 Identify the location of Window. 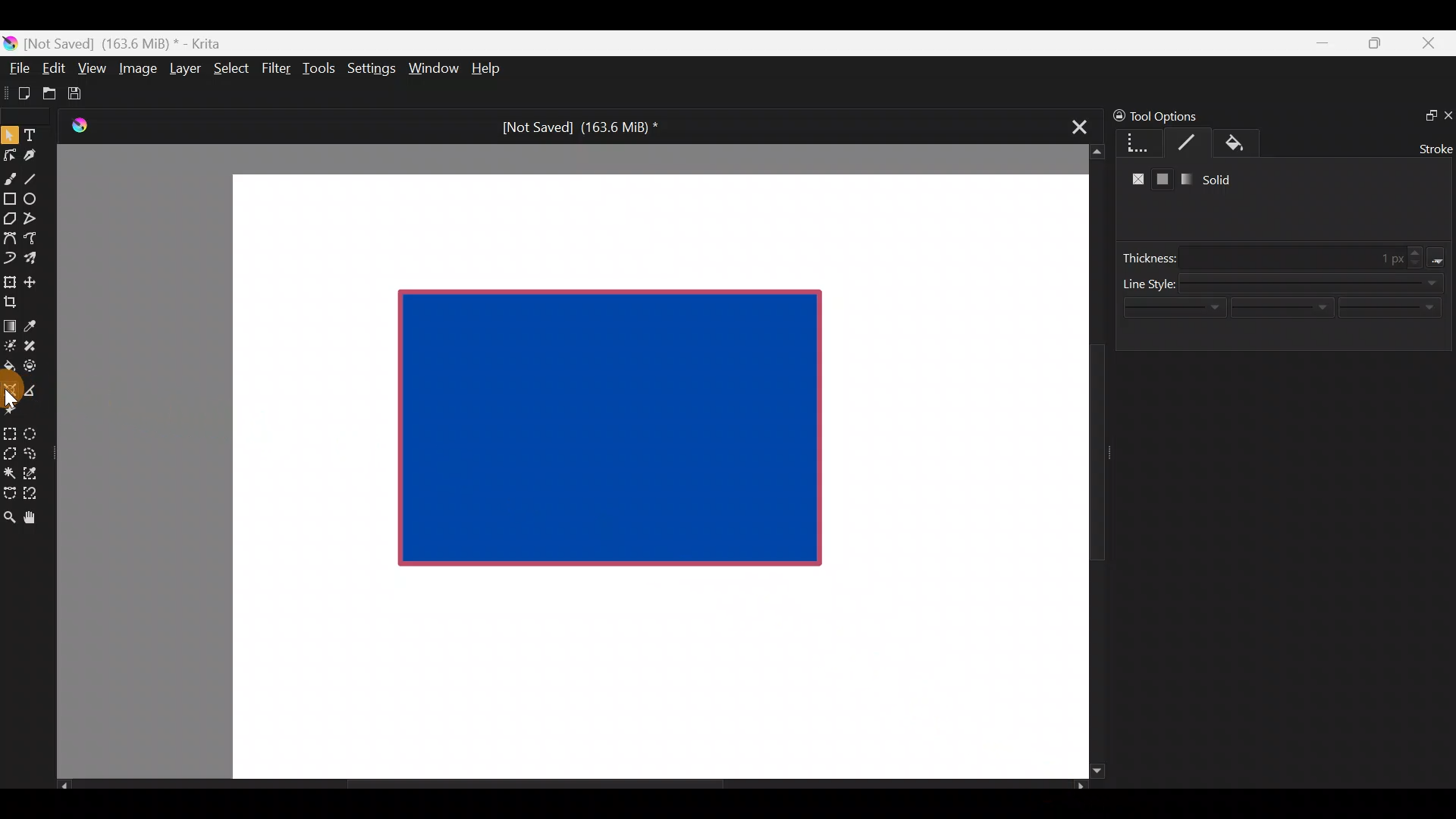
(433, 70).